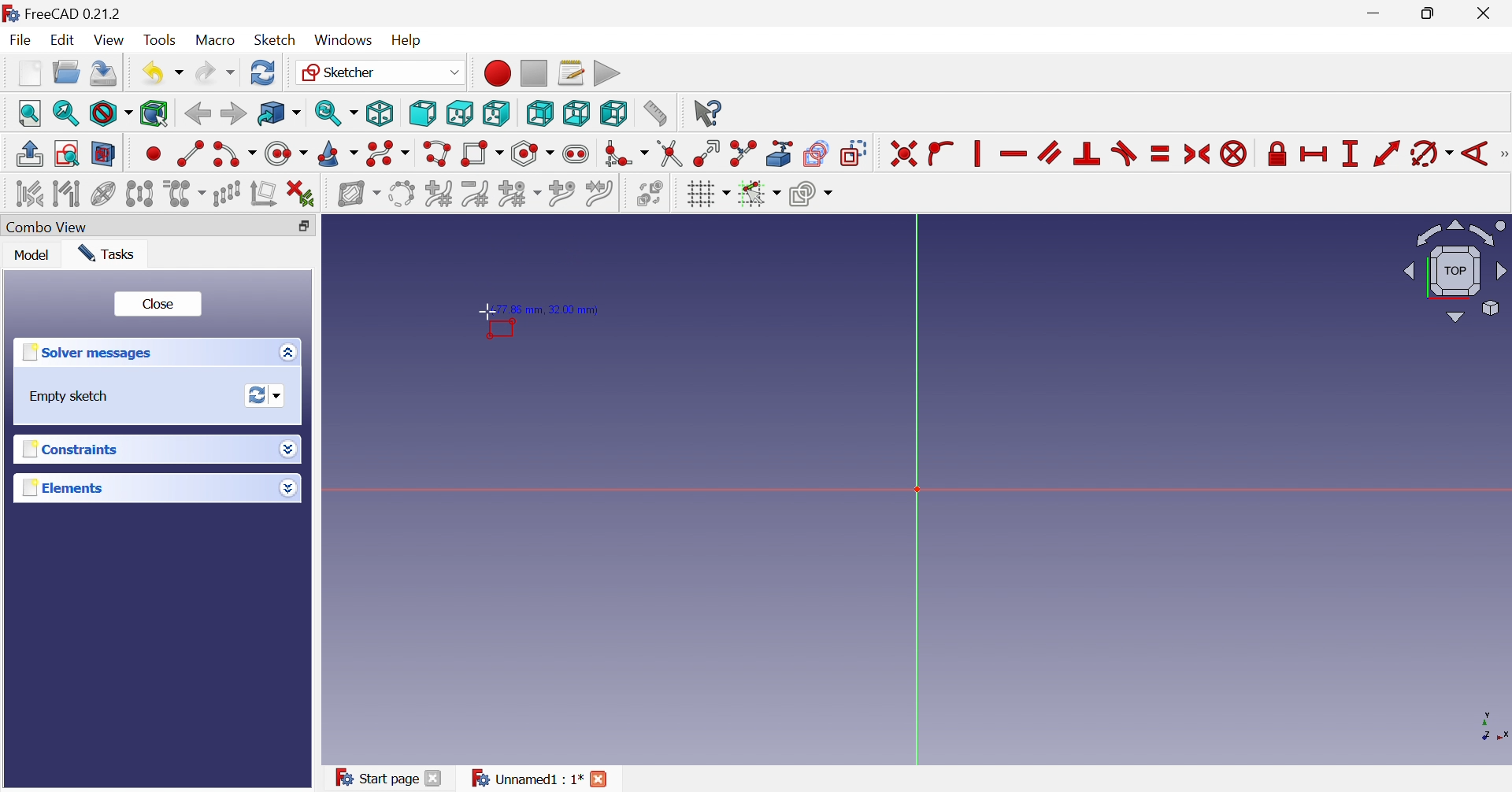 The image size is (1512, 792). I want to click on What's this?, so click(706, 113).